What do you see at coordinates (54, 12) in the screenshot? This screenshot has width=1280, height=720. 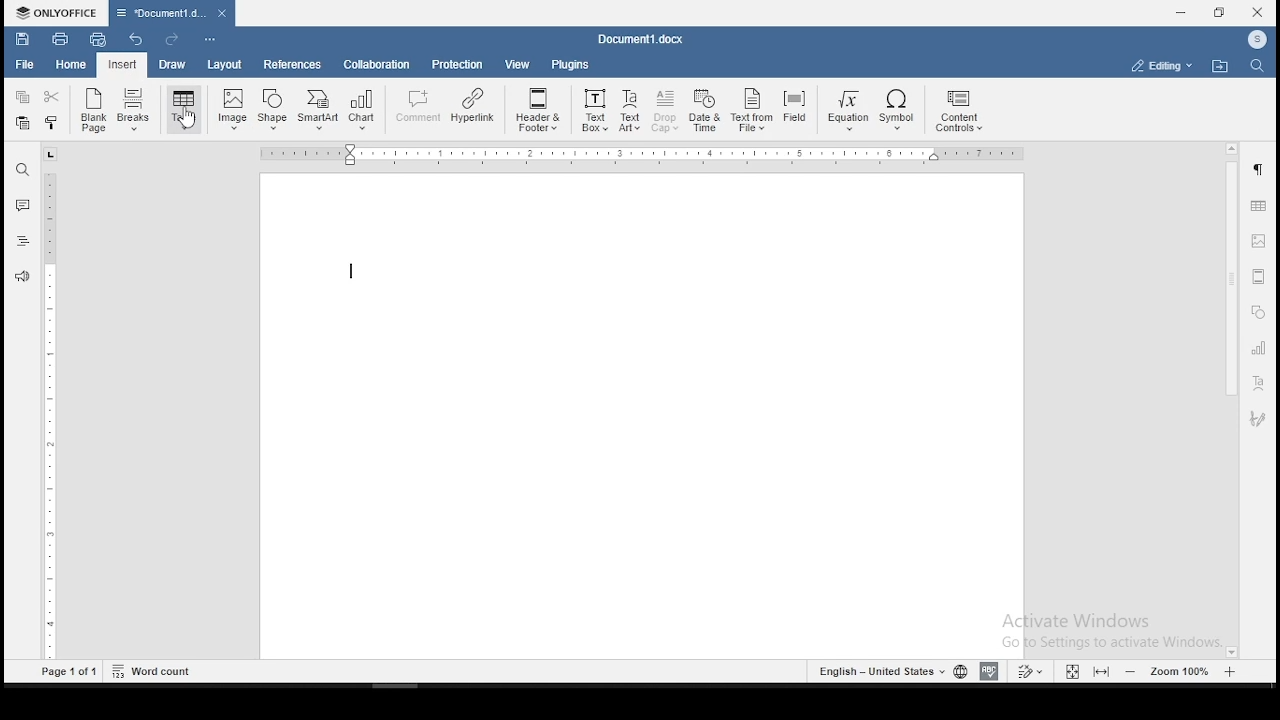 I see `ONLYOFFICE` at bounding box center [54, 12].